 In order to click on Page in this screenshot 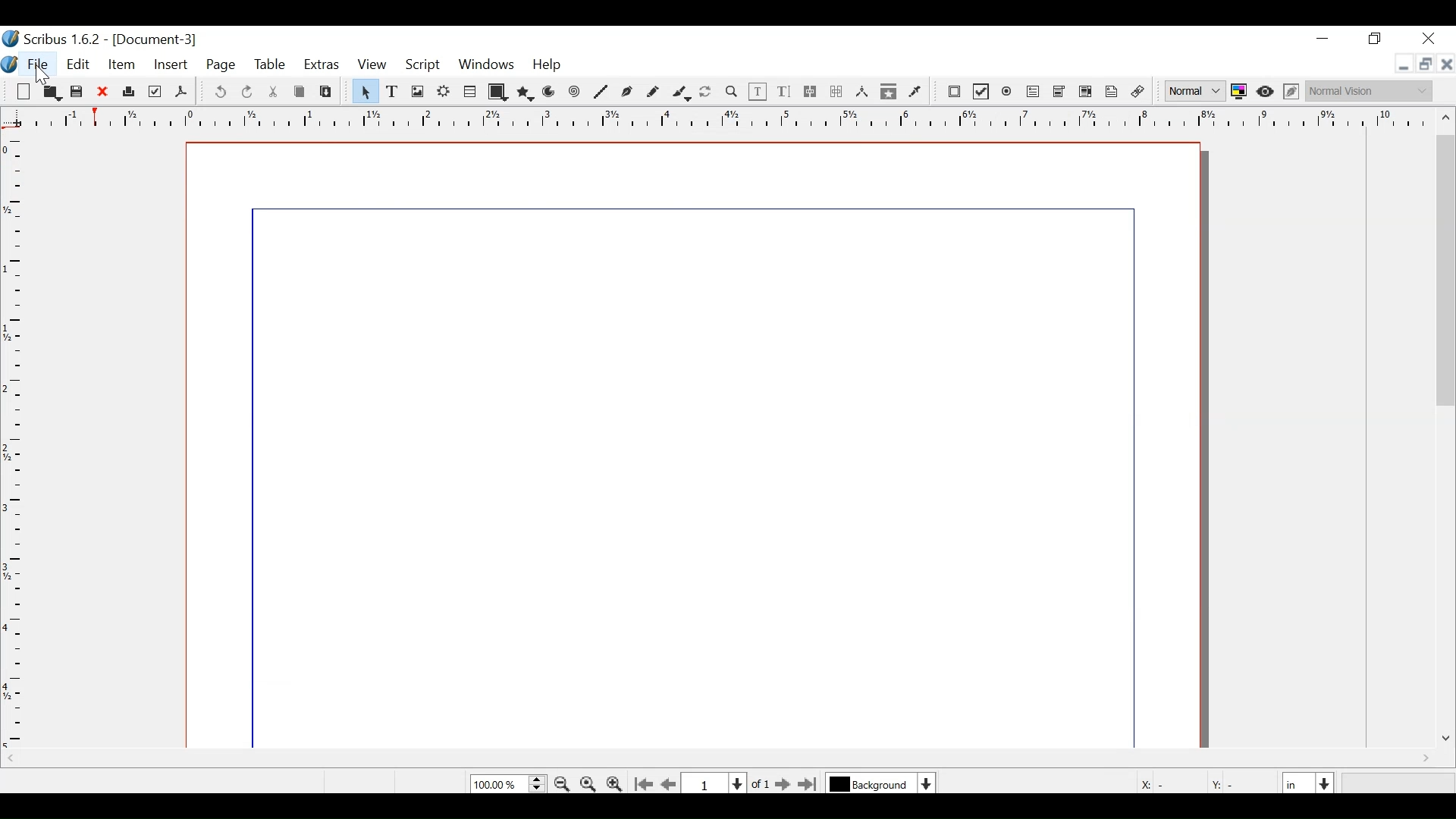, I will do `click(222, 67)`.